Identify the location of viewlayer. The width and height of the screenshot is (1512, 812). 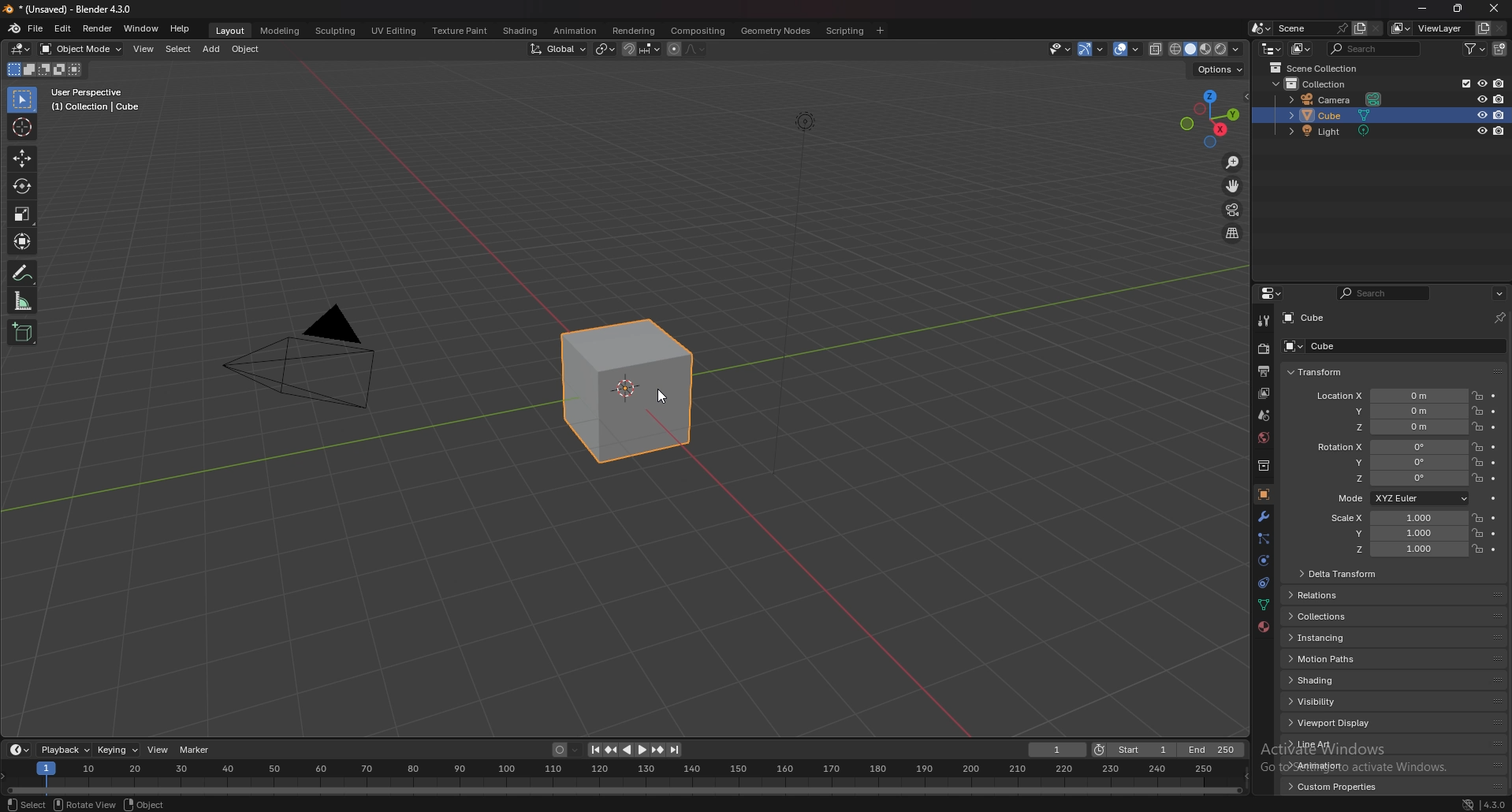
(1429, 28).